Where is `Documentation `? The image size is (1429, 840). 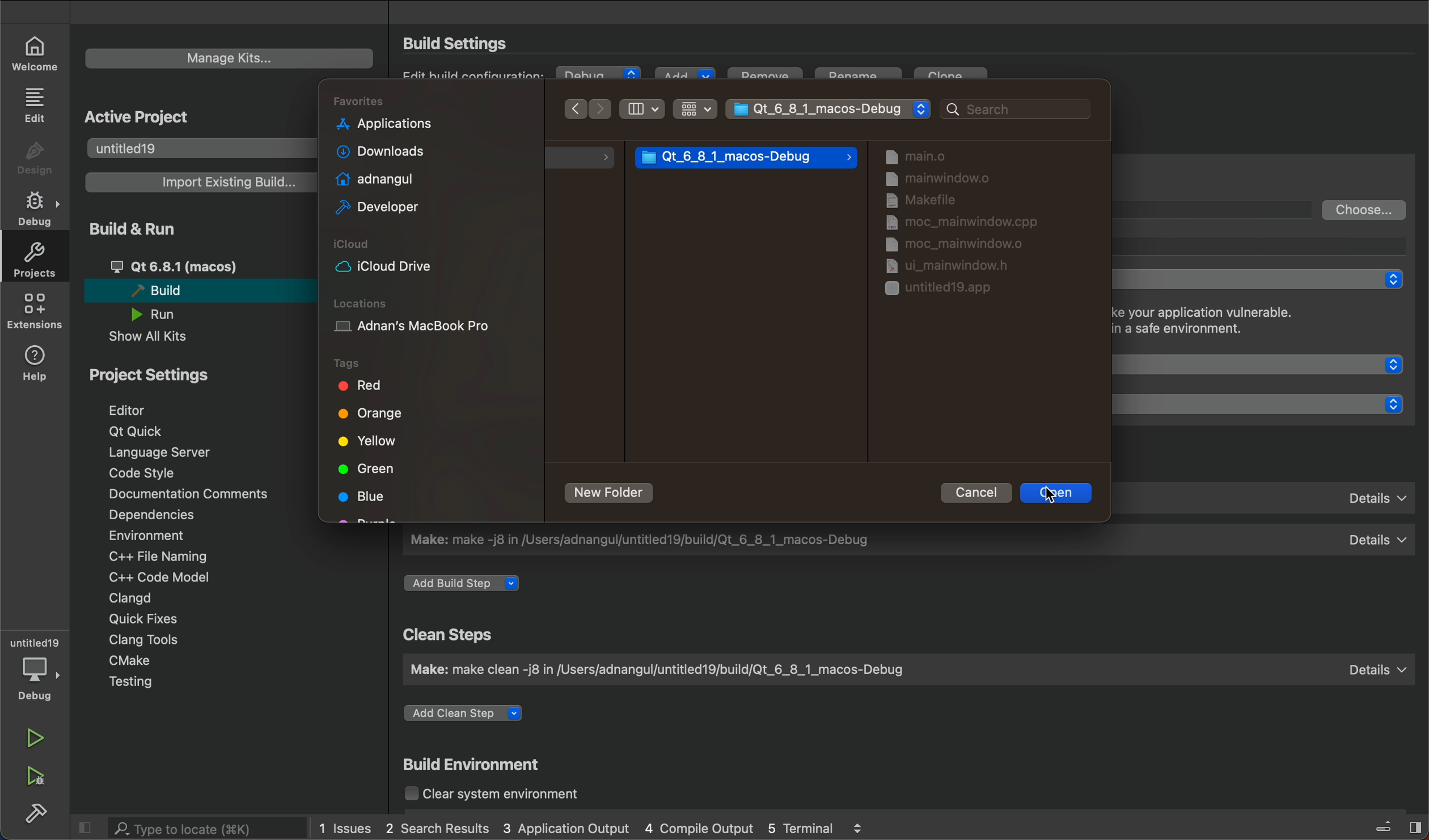
Documentation  is located at coordinates (185, 494).